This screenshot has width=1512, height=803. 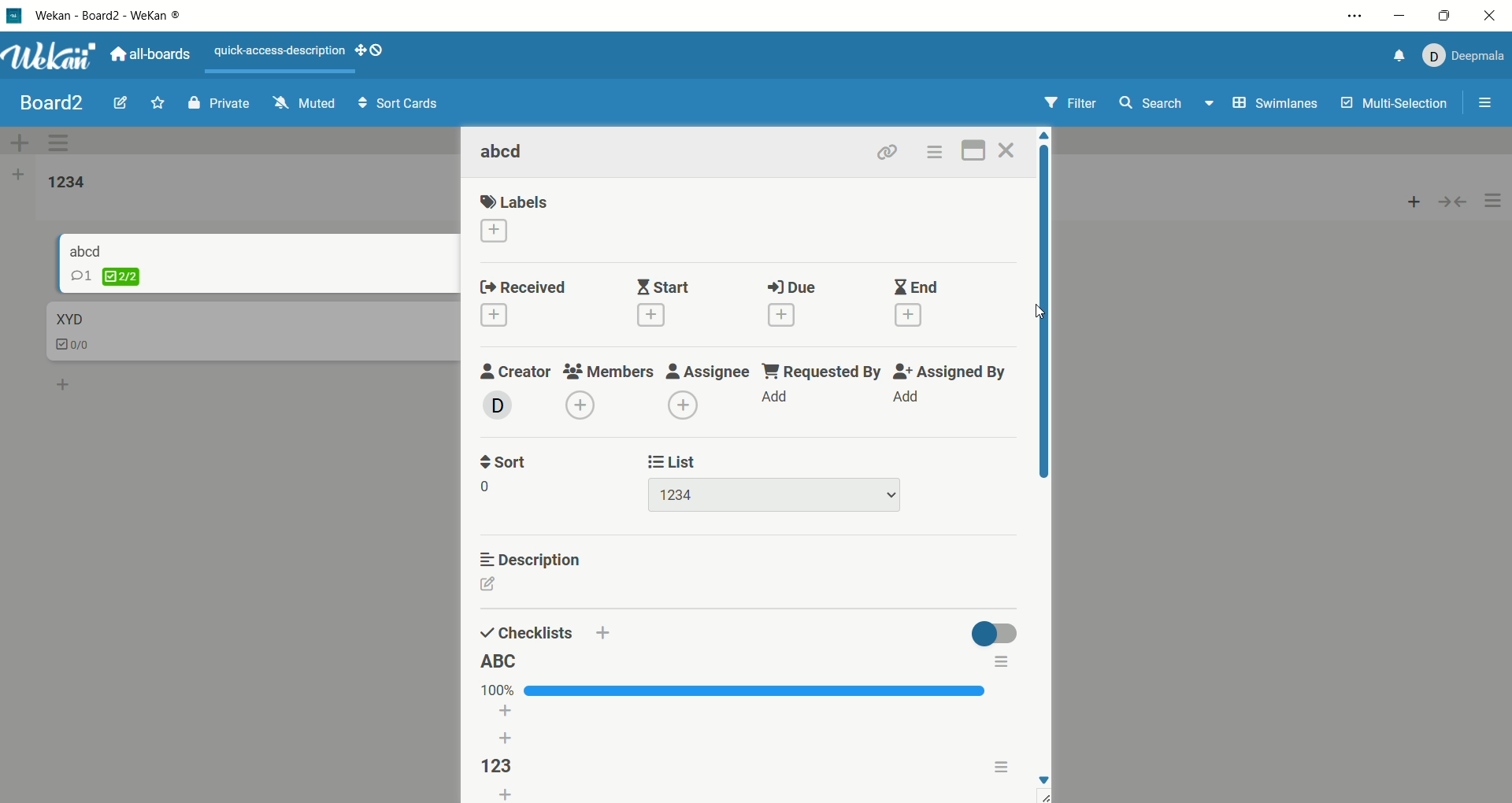 I want to click on all boards, so click(x=150, y=53).